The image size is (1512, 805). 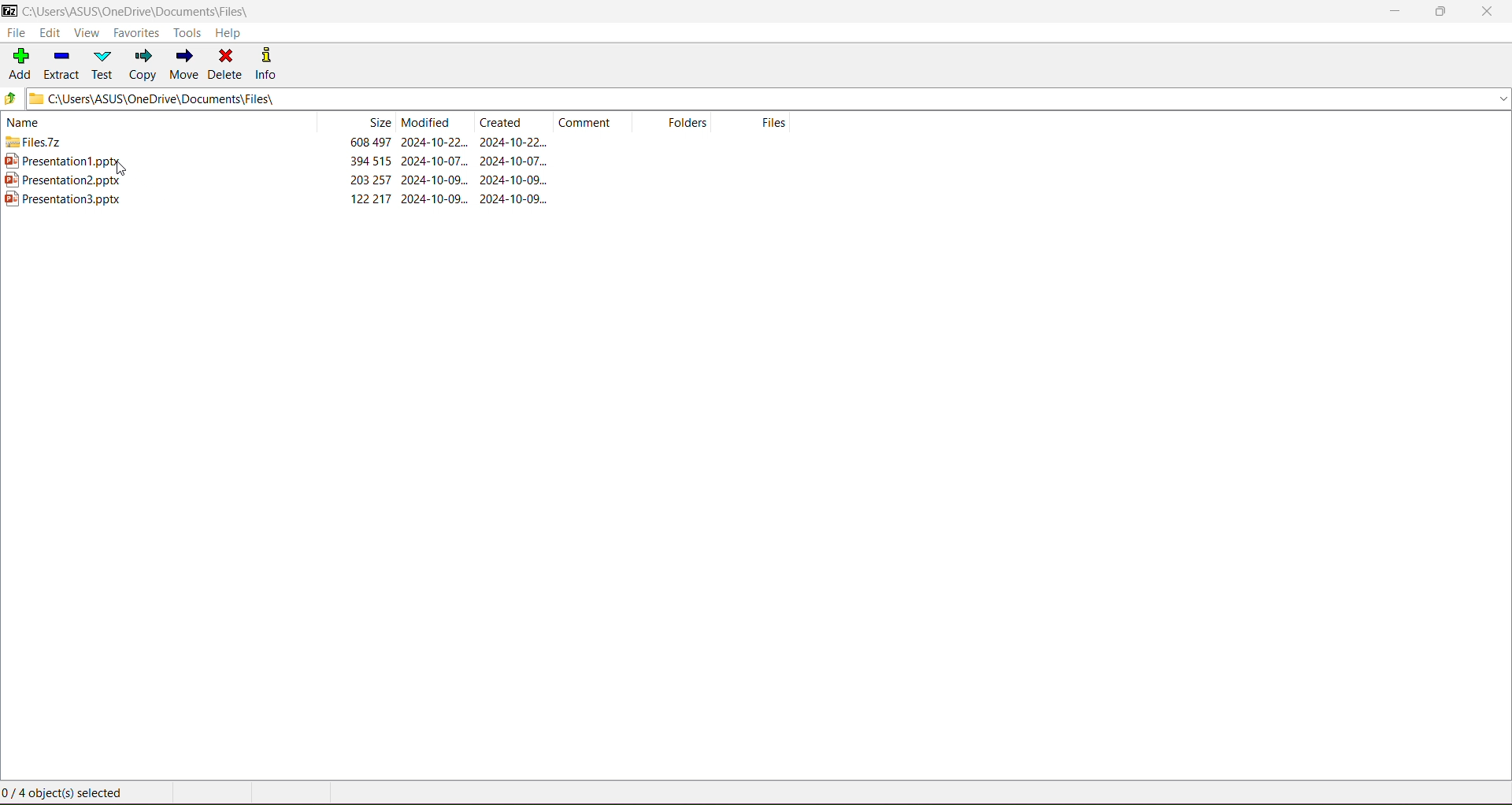 I want to click on 608 497, so click(x=371, y=142).